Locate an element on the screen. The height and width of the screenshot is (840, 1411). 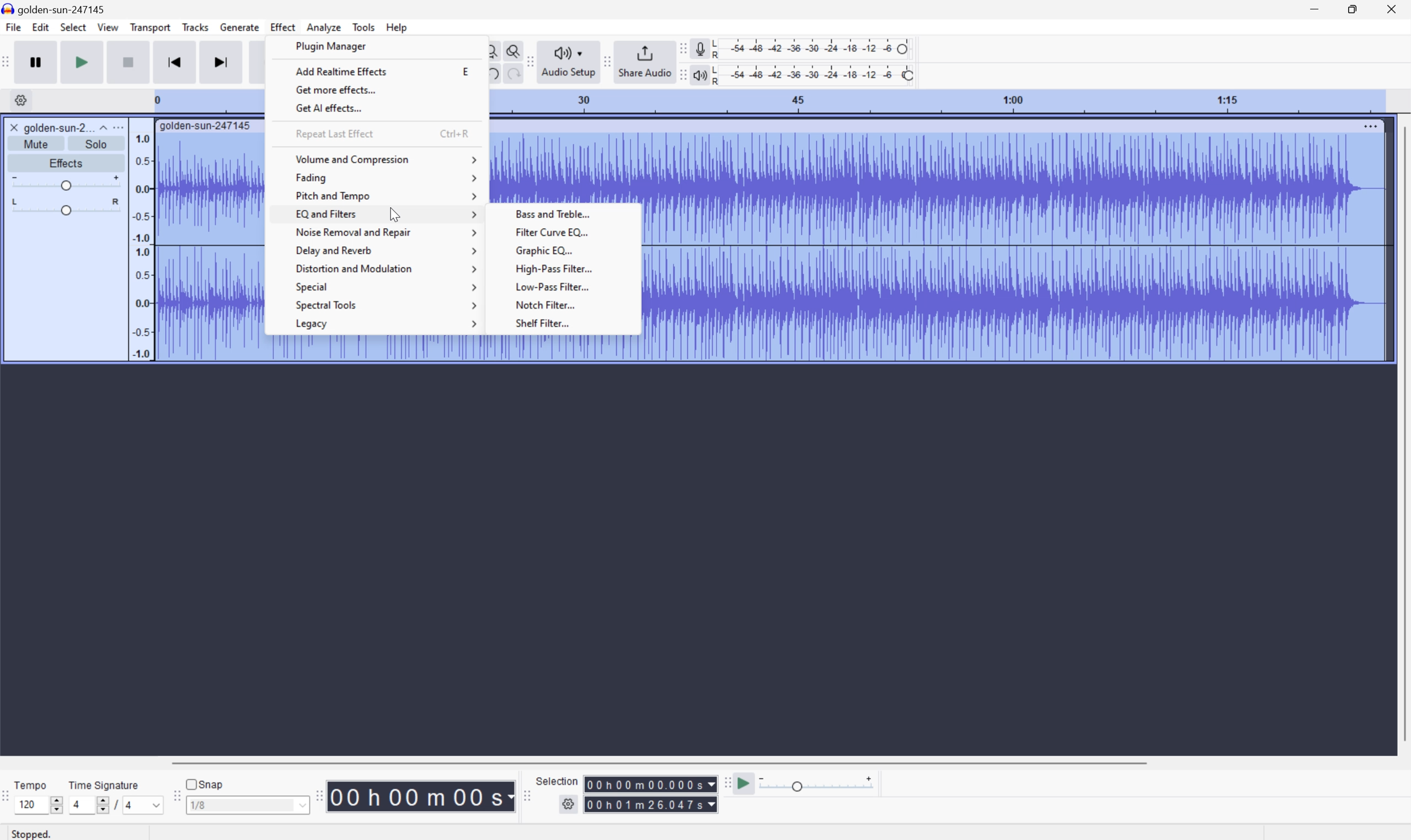
Skip to start is located at coordinates (175, 61).